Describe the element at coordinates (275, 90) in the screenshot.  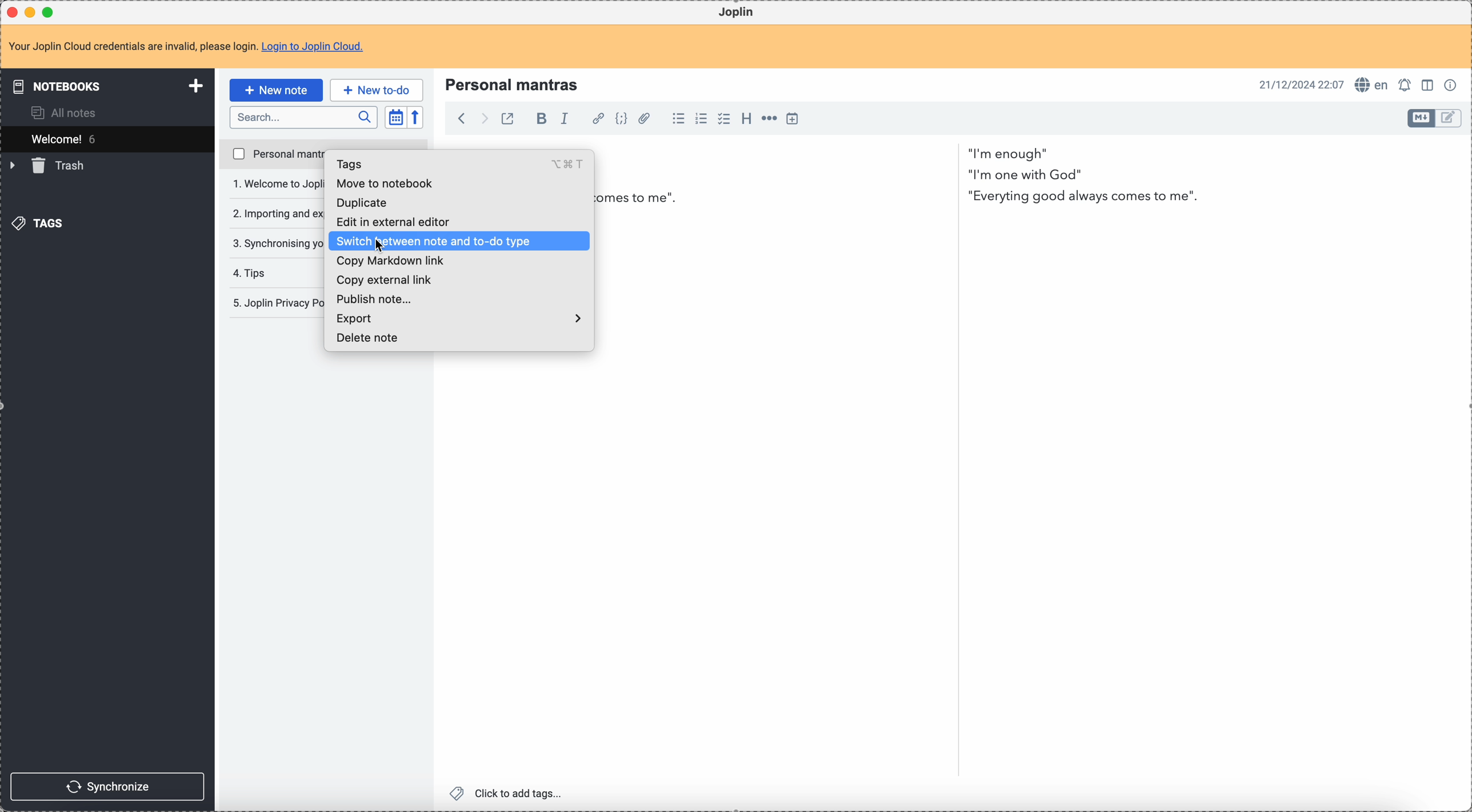
I see `new note` at that location.